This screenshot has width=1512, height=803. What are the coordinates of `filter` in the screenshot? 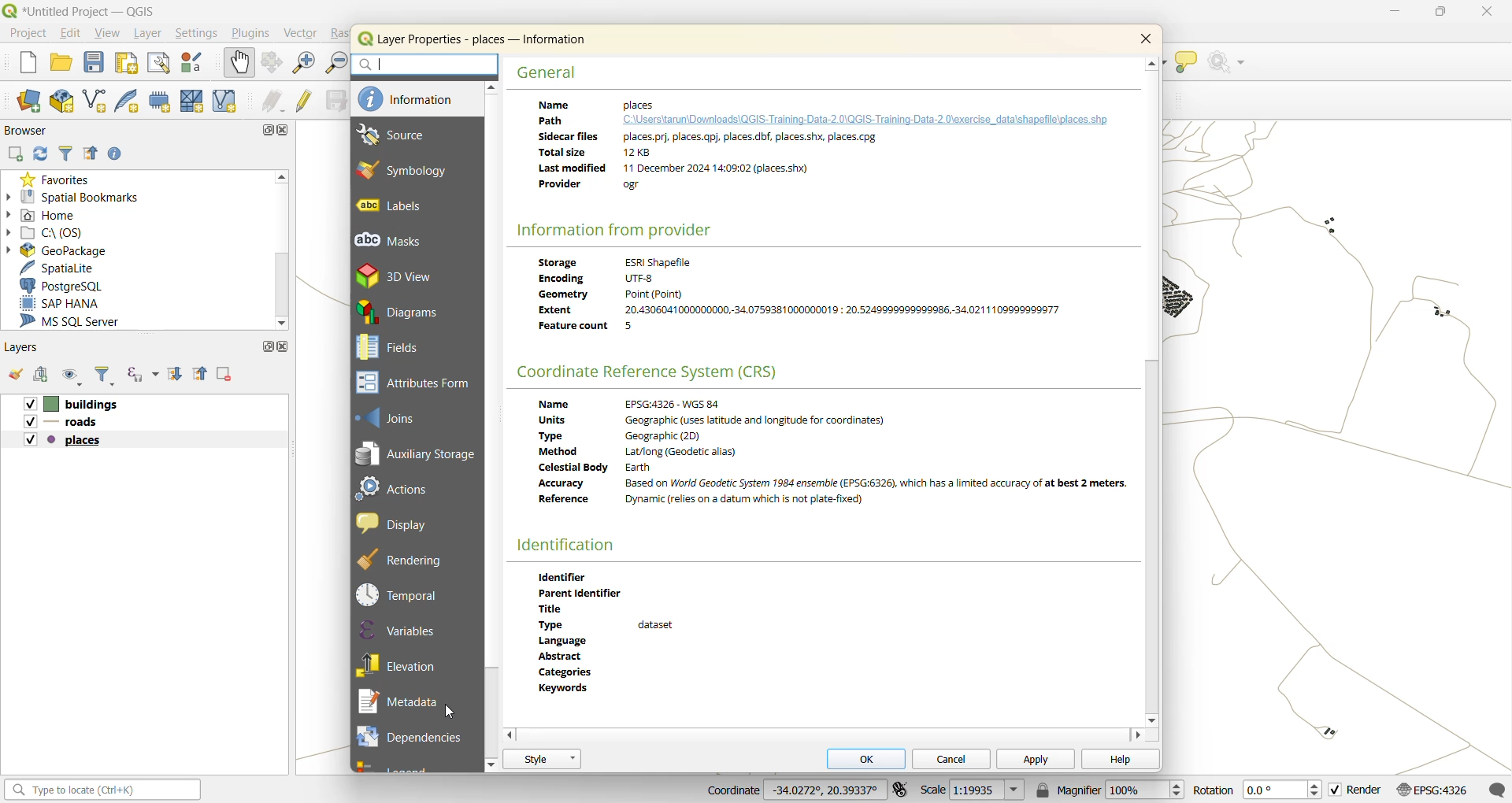 It's located at (67, 152).